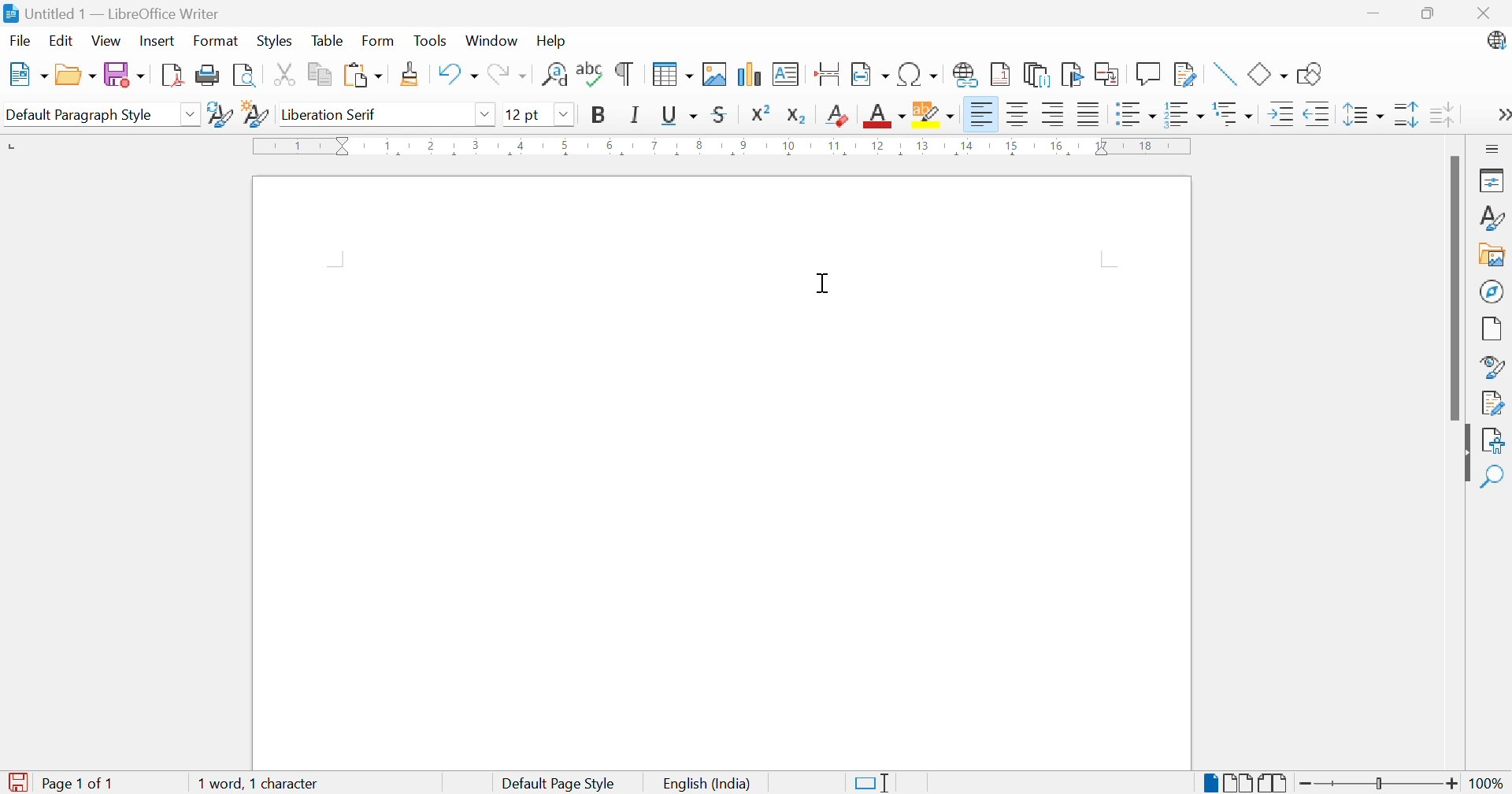  Describe the element at coordinates (1452, 782) in the screenshot. I see `Zoom In` at that location.